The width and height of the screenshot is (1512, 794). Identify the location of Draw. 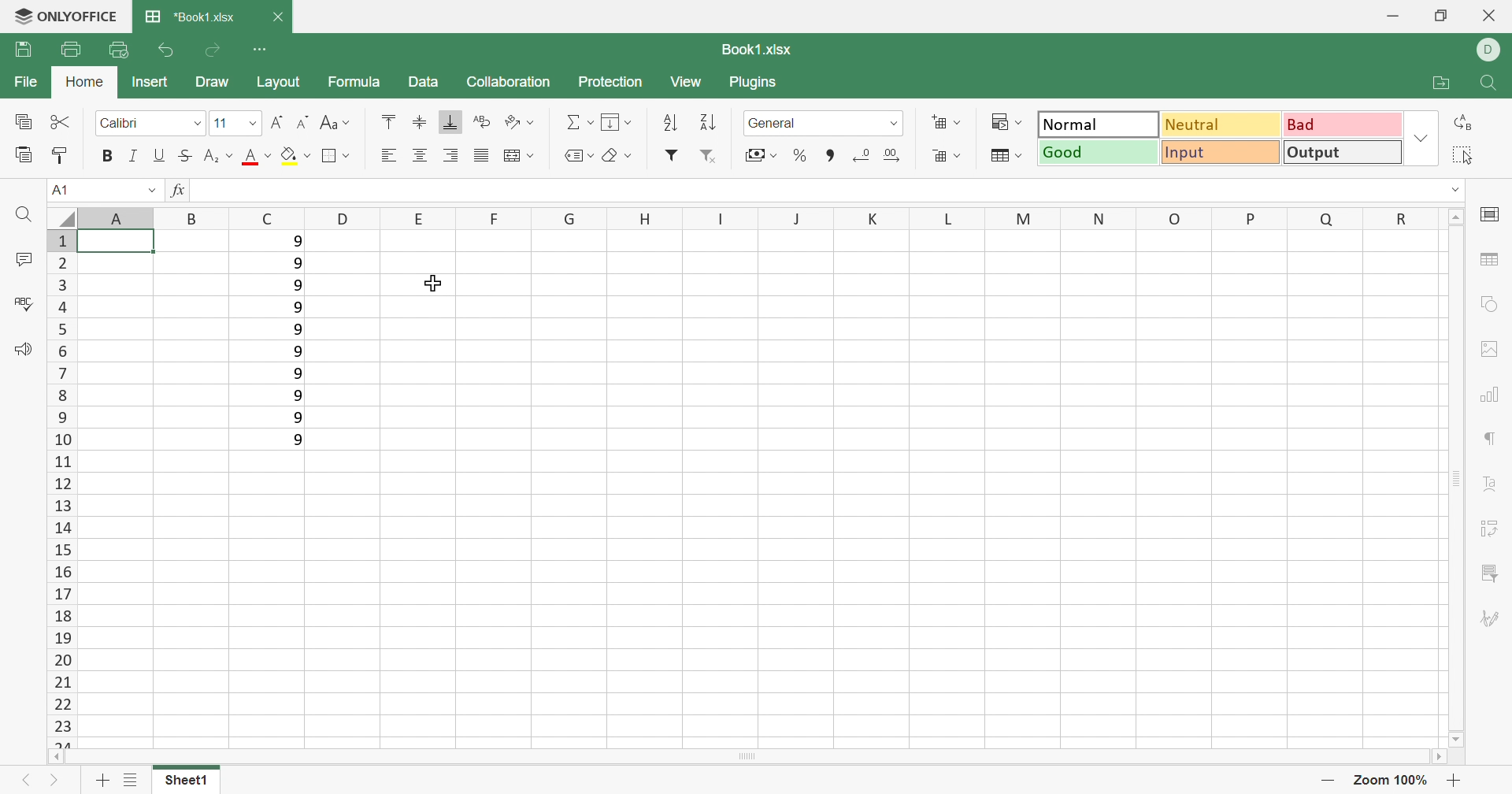
(213, 83).